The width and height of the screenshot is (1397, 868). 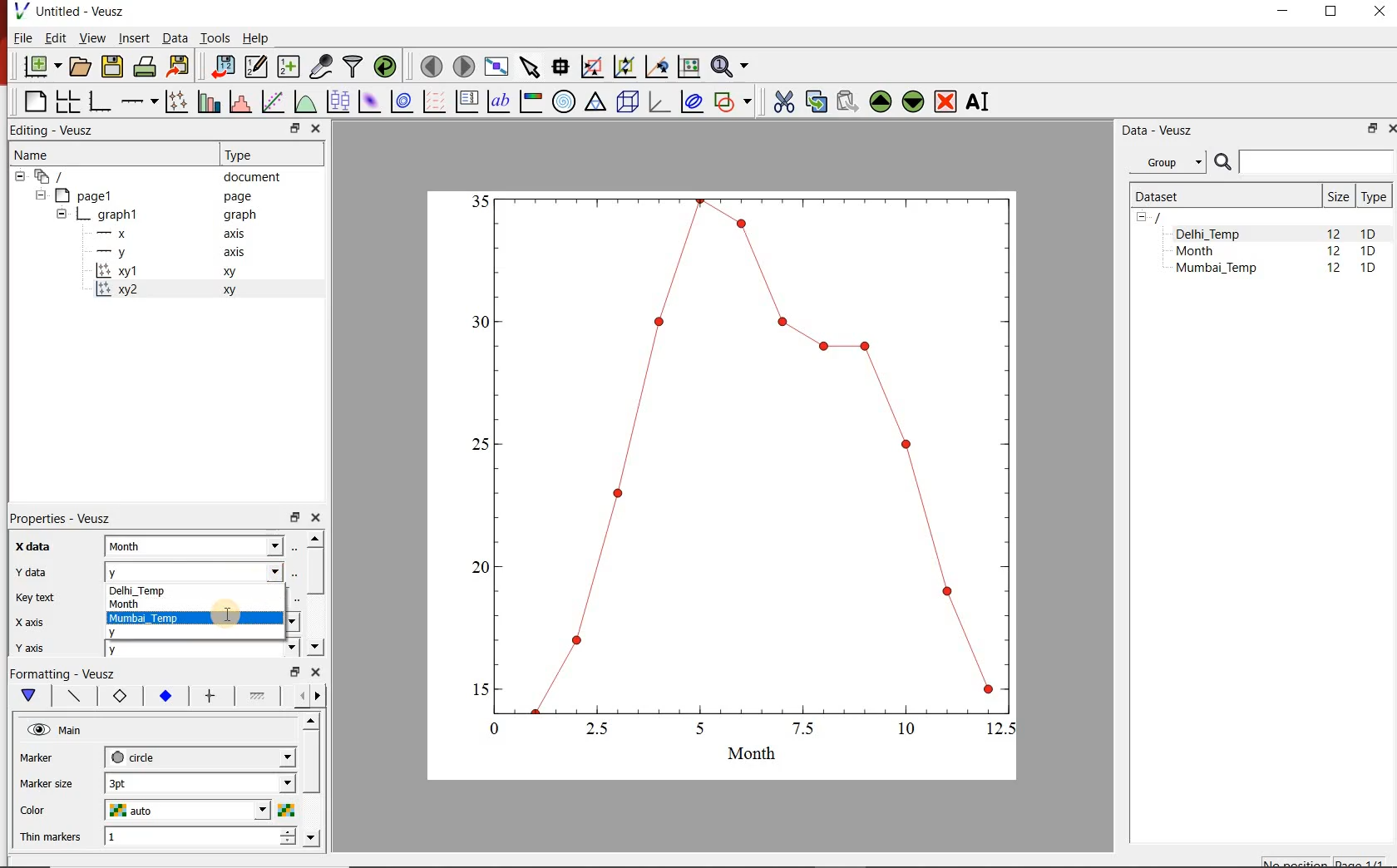 I want to click on Y, so click(x=203, y=570).